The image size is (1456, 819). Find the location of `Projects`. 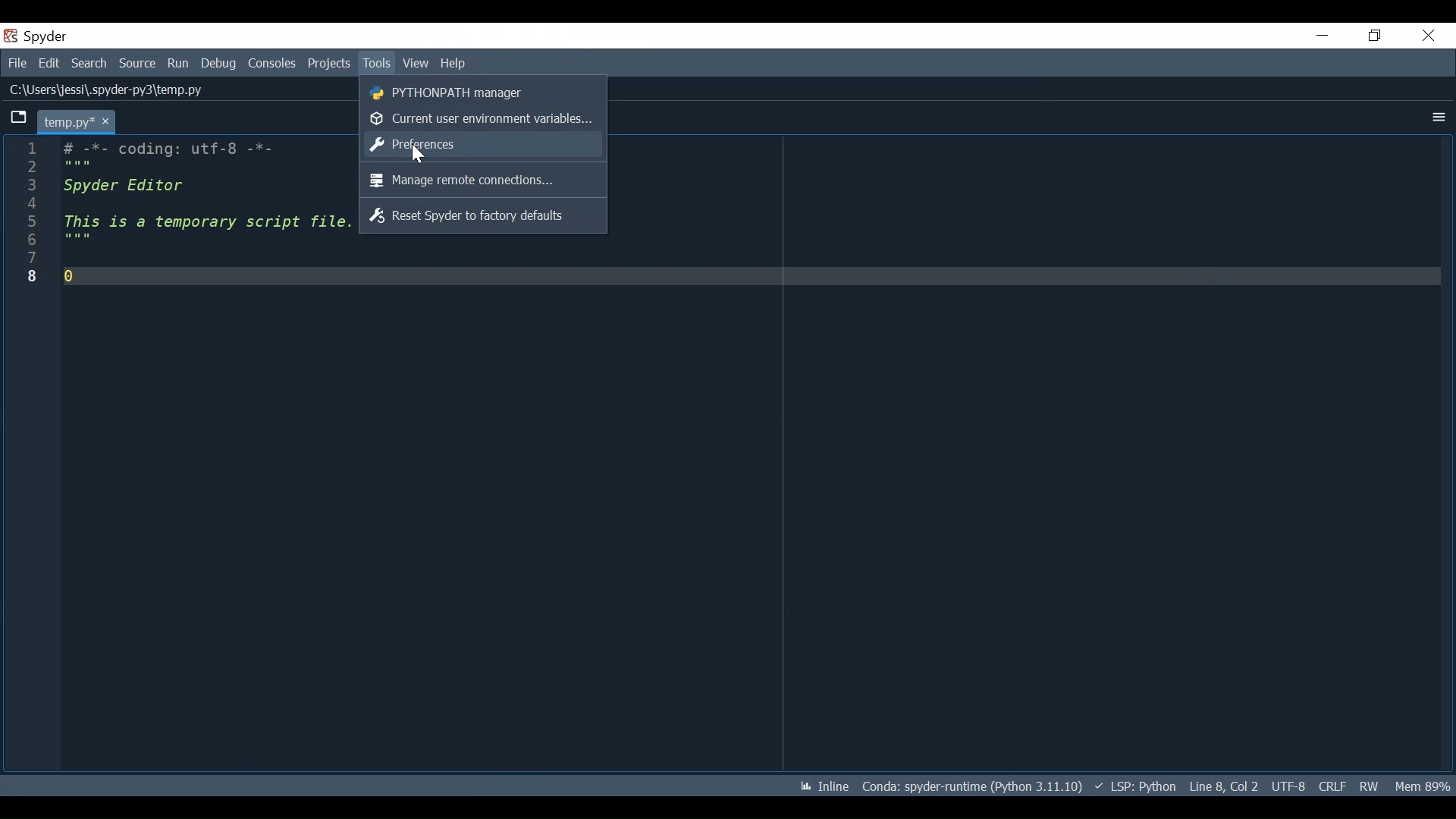

Projects is located at coordinates (329, 64).